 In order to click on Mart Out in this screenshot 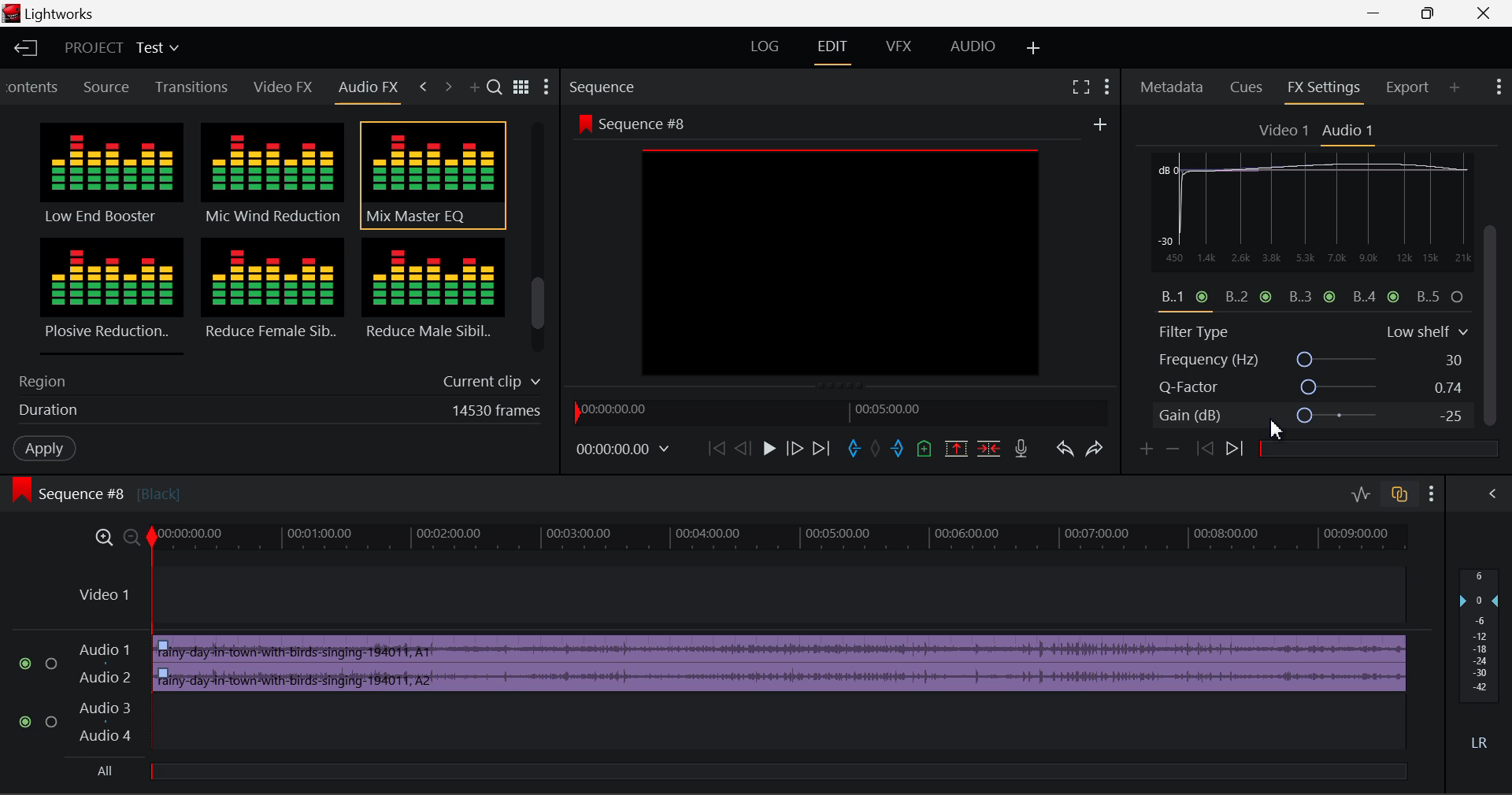, I will do `click(899, 449)`.